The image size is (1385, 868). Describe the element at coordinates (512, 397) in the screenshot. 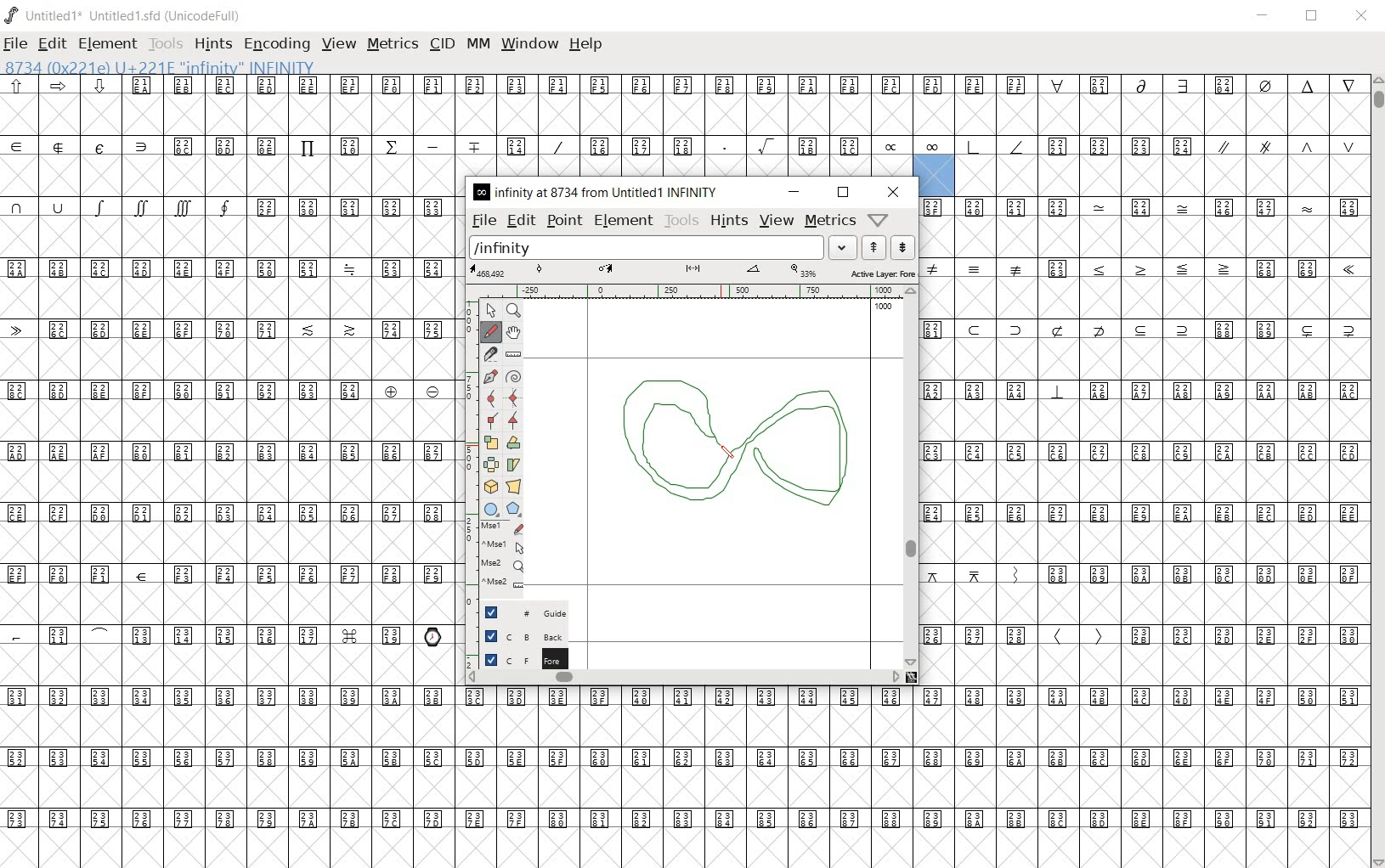

I see `add a curve point always either horizontal or vertical` at that location.